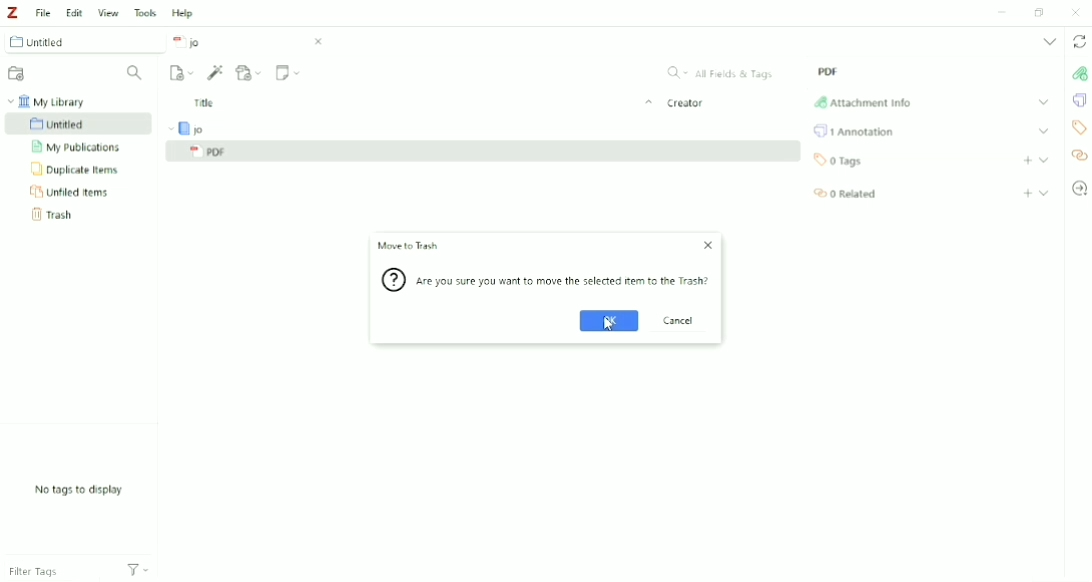  Describe the element at coordinates (827, 71) in the screenshot. I see `PDF` at that location.